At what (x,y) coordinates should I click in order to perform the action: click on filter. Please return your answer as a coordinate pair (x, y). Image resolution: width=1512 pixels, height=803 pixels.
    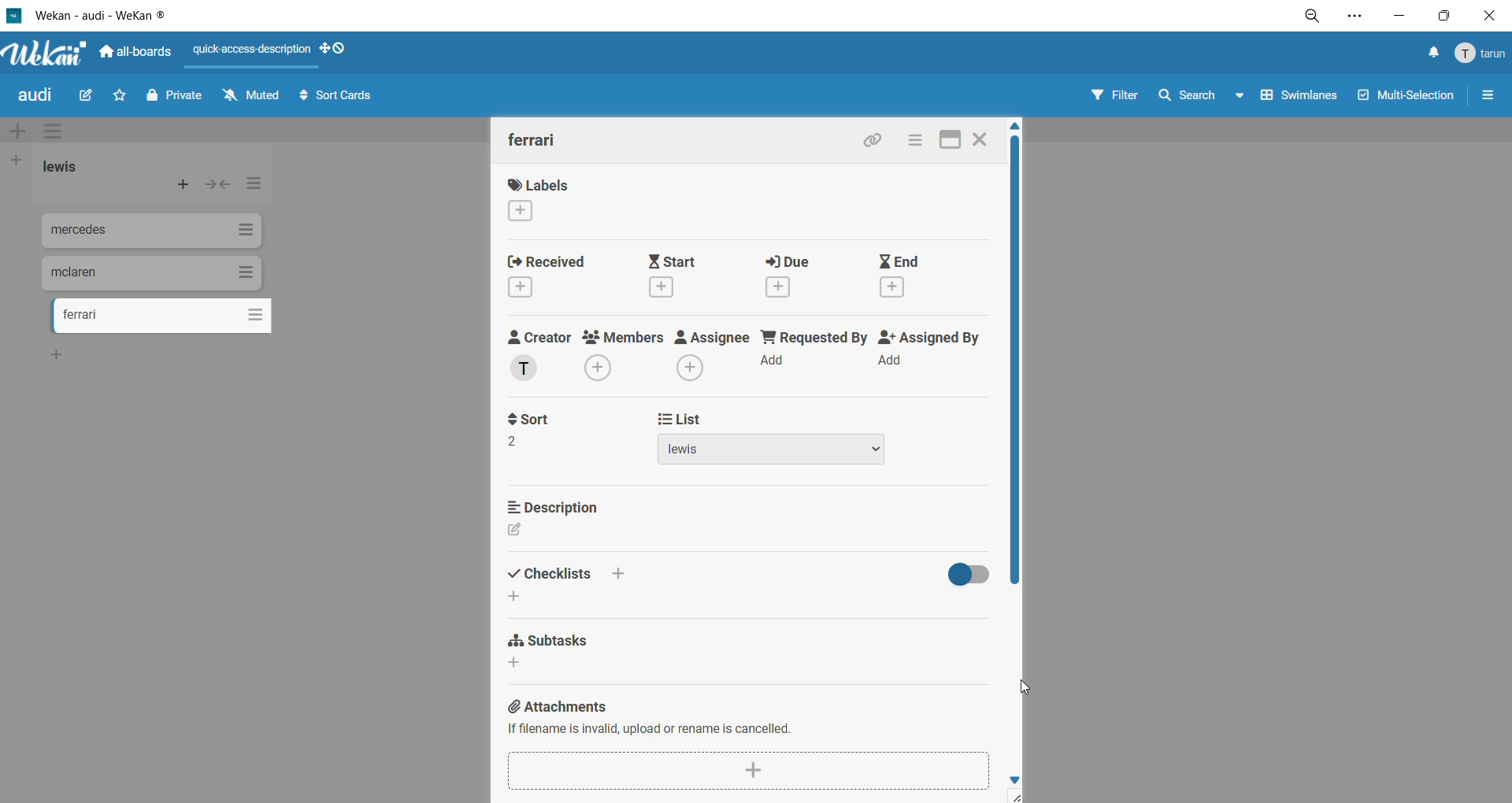
    Looking at the image, I should click on (1119, 98).